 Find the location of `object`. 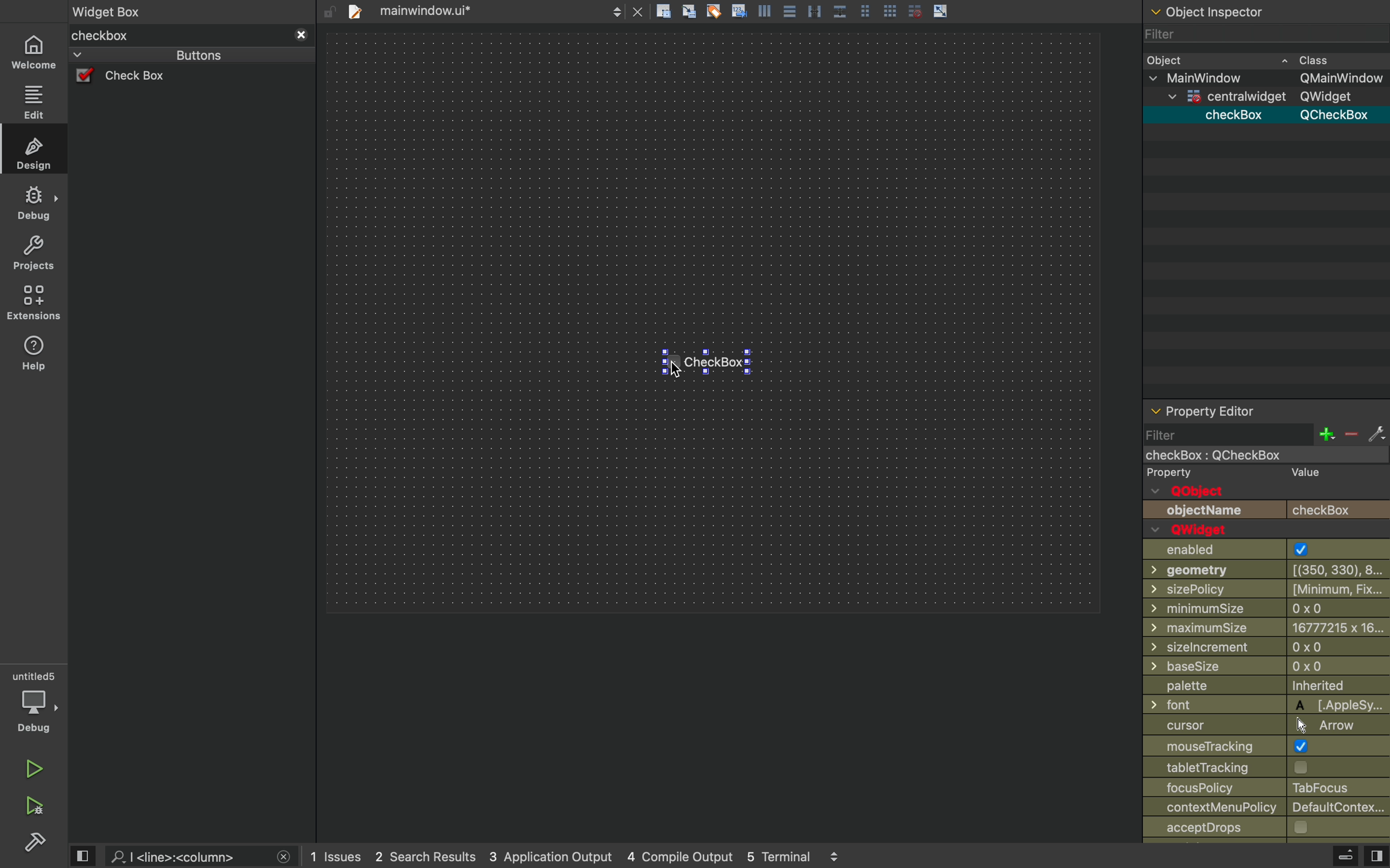

object is located at coordinates (1249, 59).